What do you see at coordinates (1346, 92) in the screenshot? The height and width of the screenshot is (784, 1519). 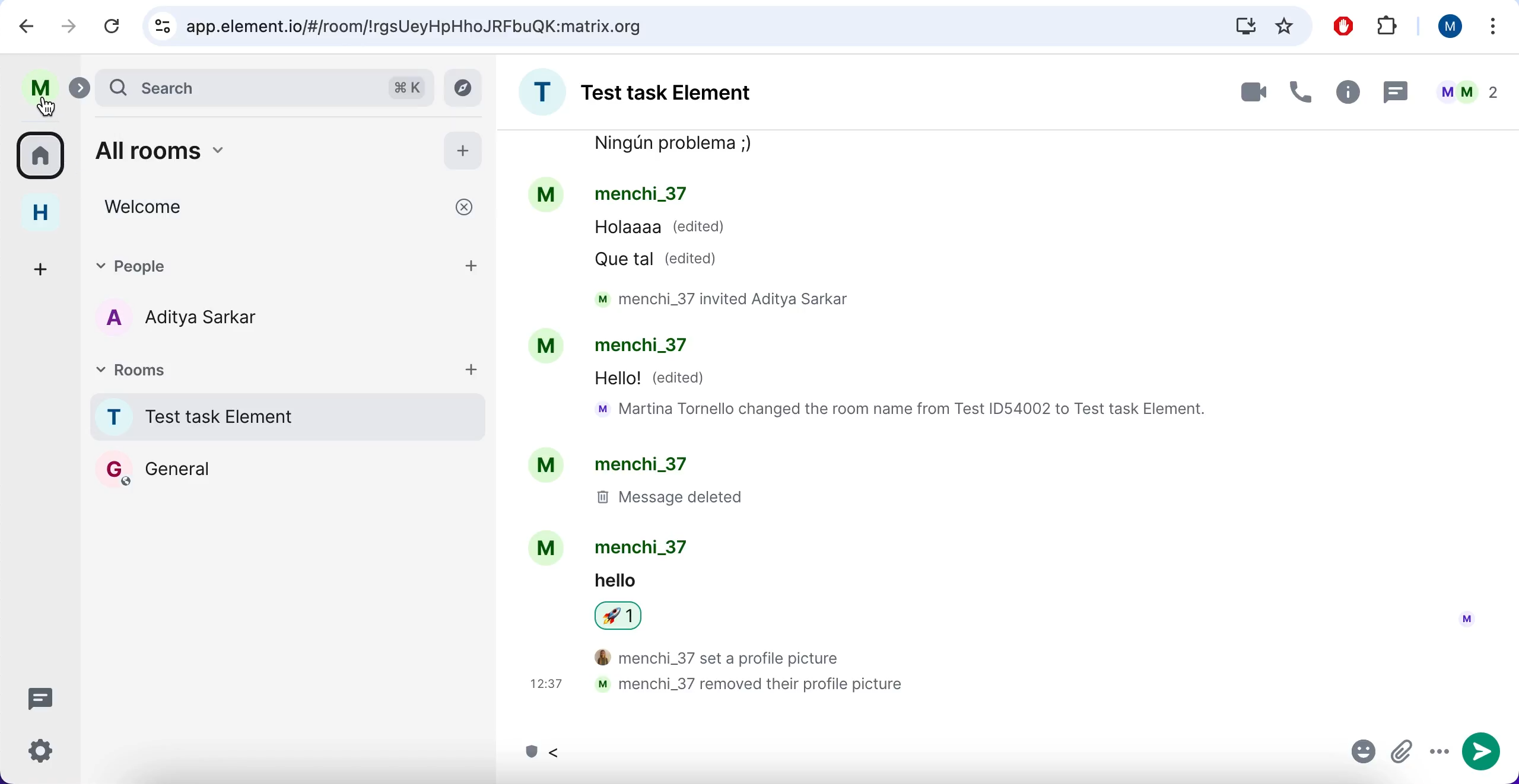 I see `room info` at bounding box center [1346, 92].